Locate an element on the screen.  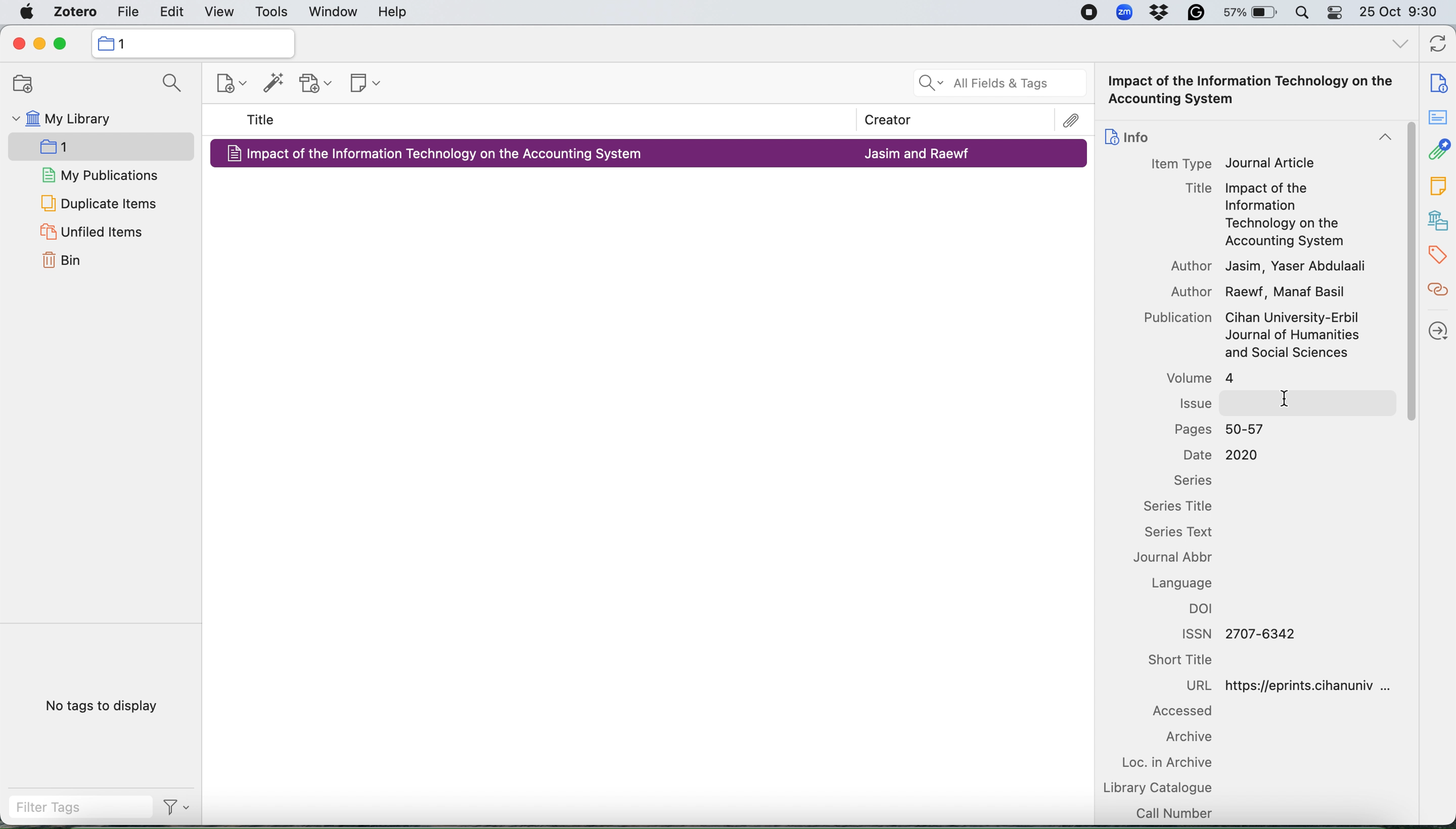
control center is located at coordinates (1334, 13).